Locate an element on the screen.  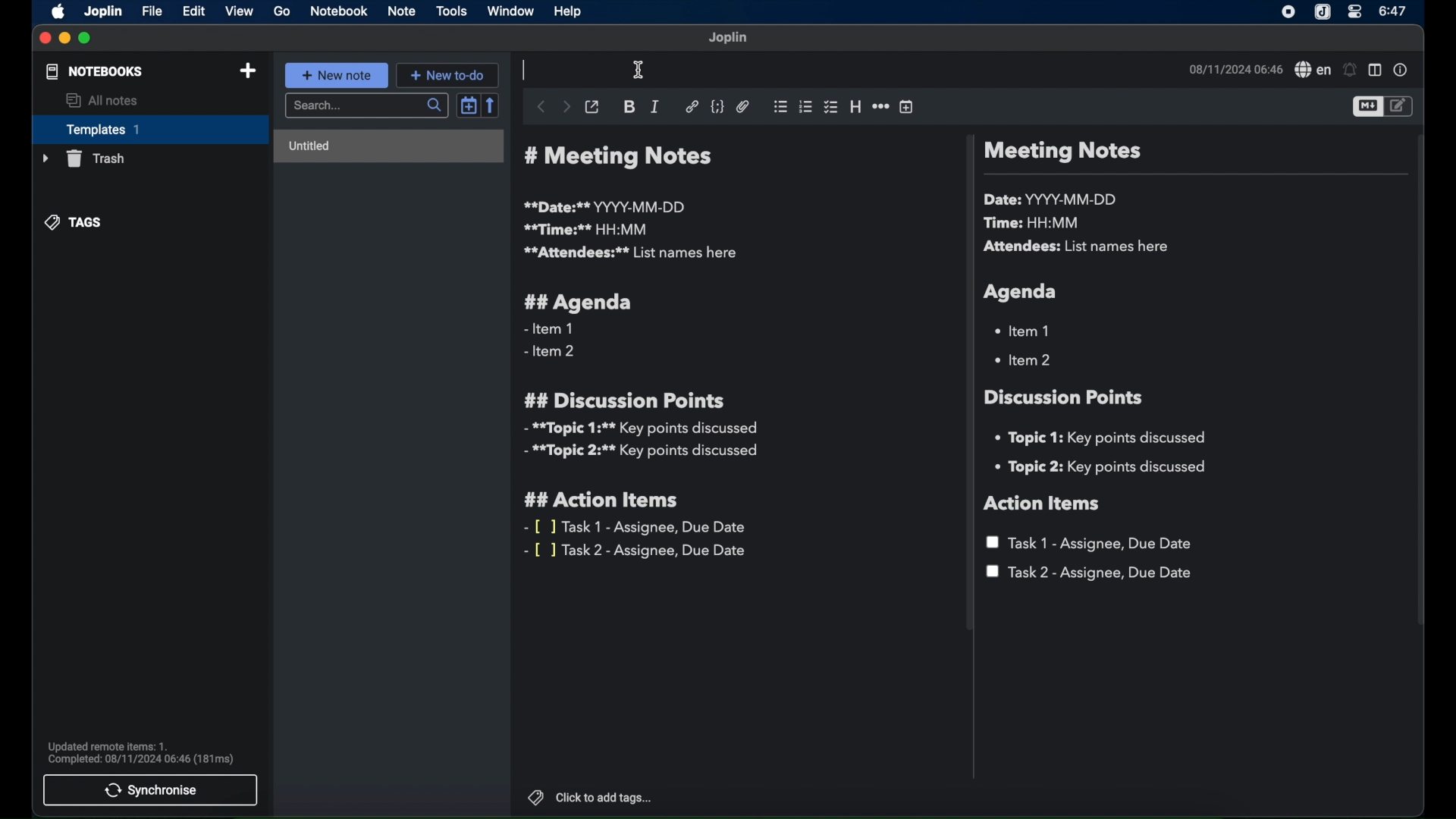
notebooks is located at coordinates (93, 72).